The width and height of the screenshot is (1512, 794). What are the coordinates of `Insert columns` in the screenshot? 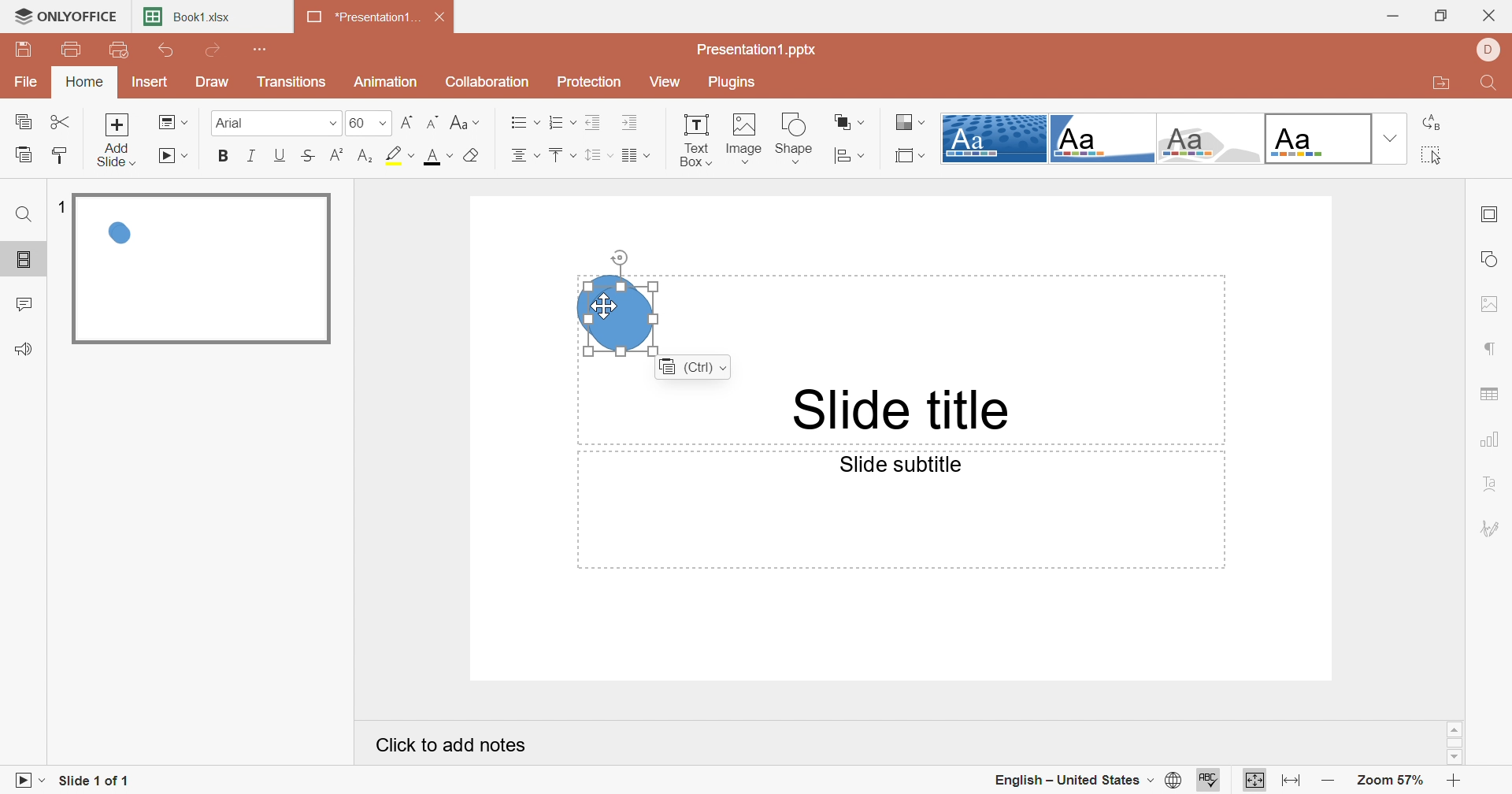 It's located at (636, 157).